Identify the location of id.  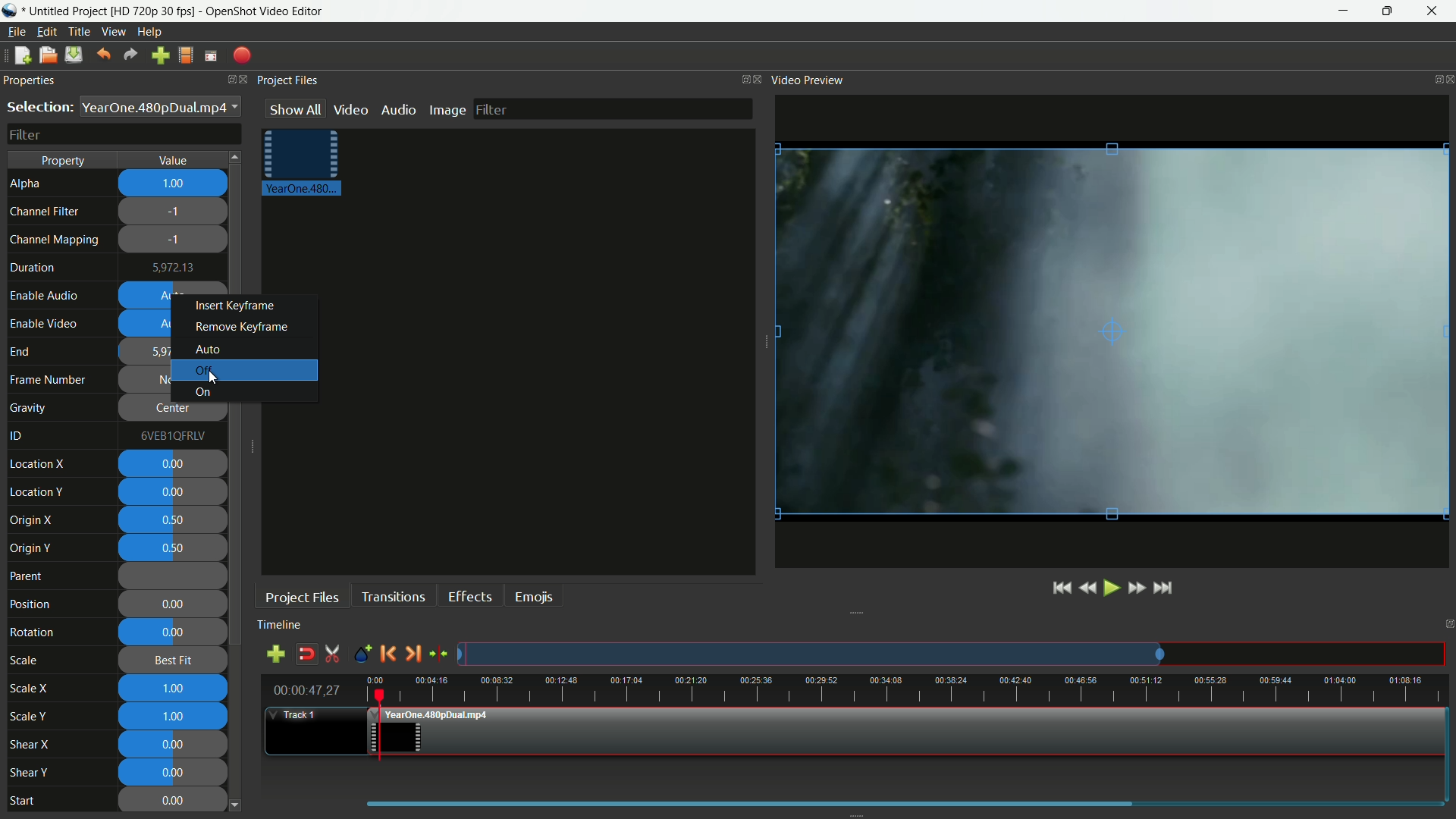
(19, 437).